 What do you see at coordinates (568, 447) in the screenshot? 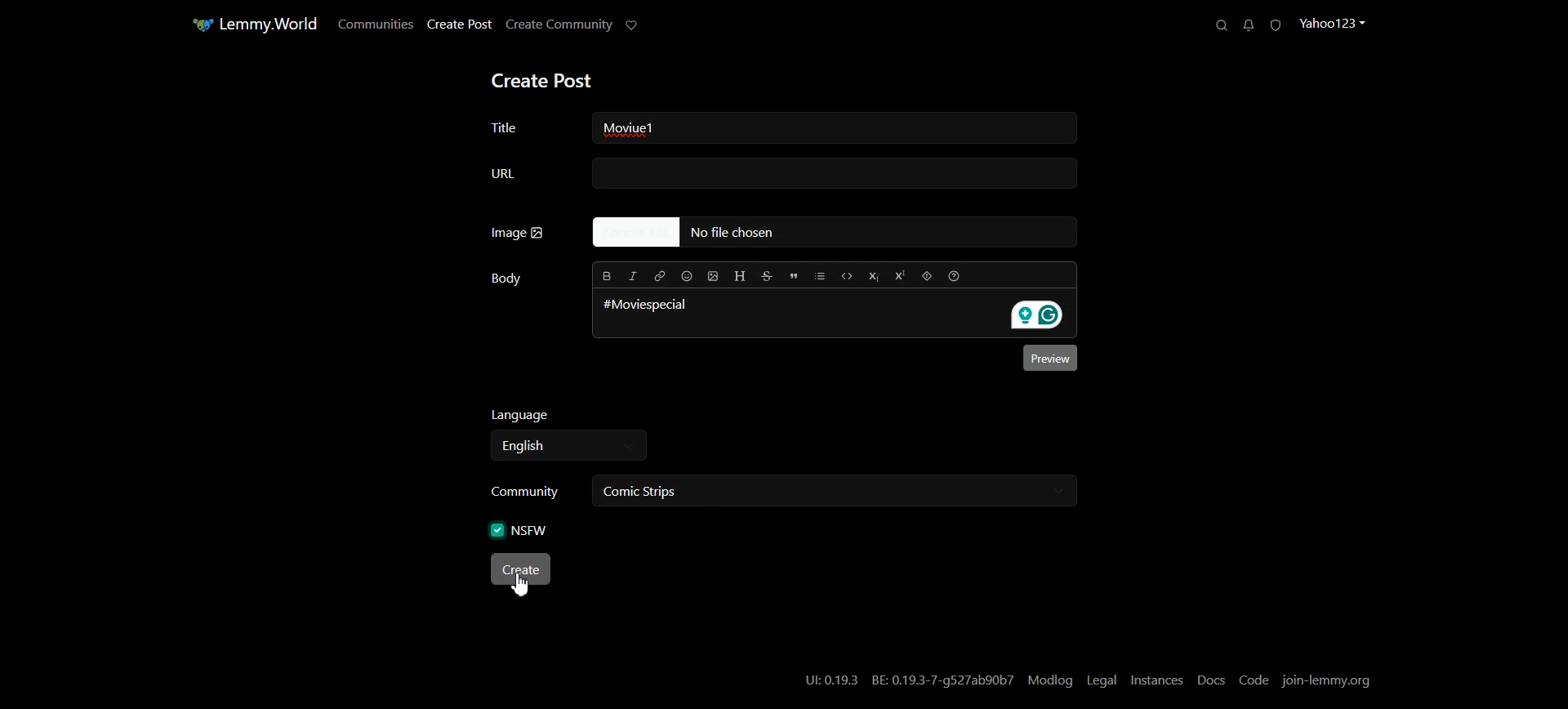
I see `Select language` at bounding box center [568, 447].